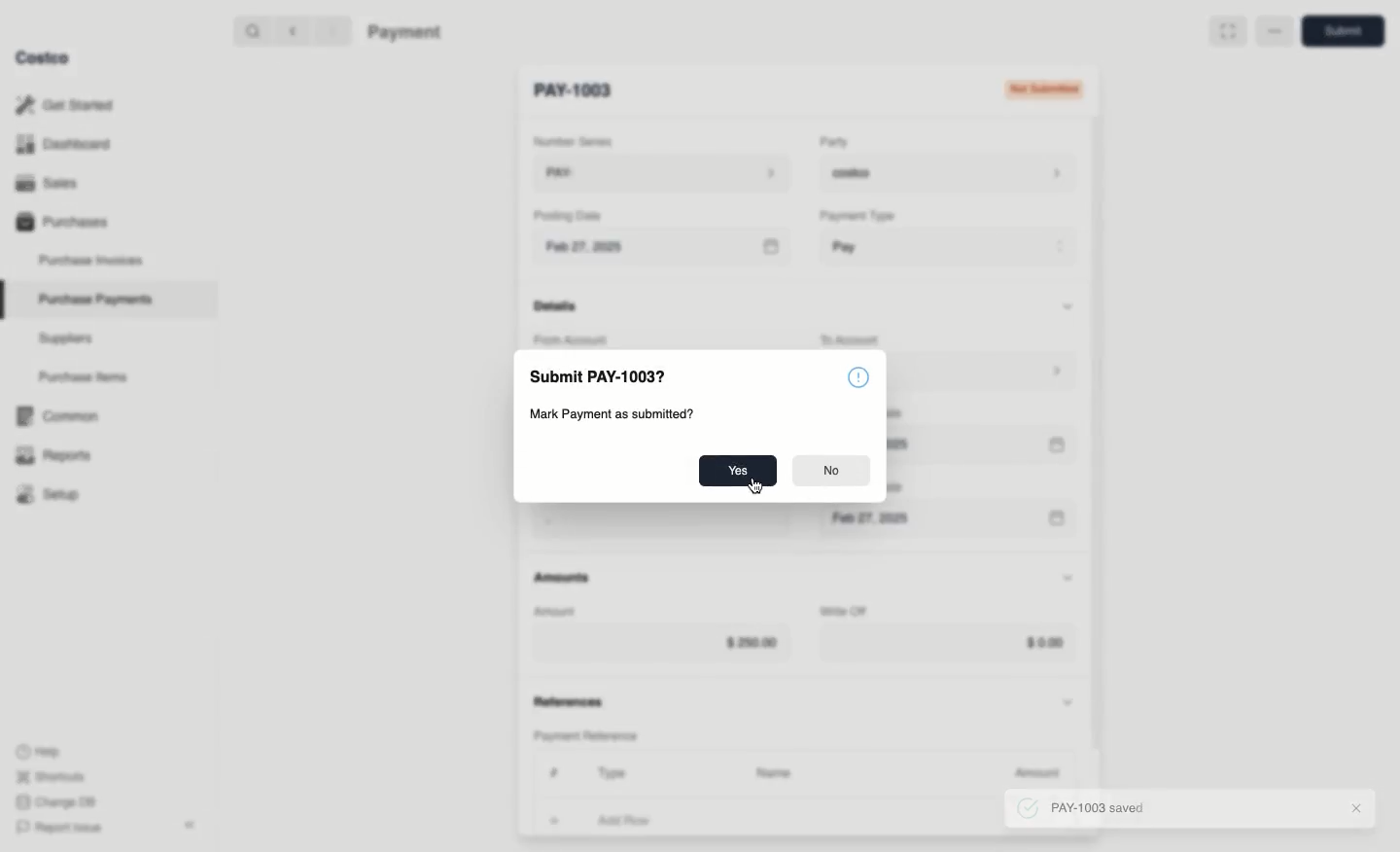 This screenshot has width=1400, height=852. I want to click on Change DB, so click(59, 802).